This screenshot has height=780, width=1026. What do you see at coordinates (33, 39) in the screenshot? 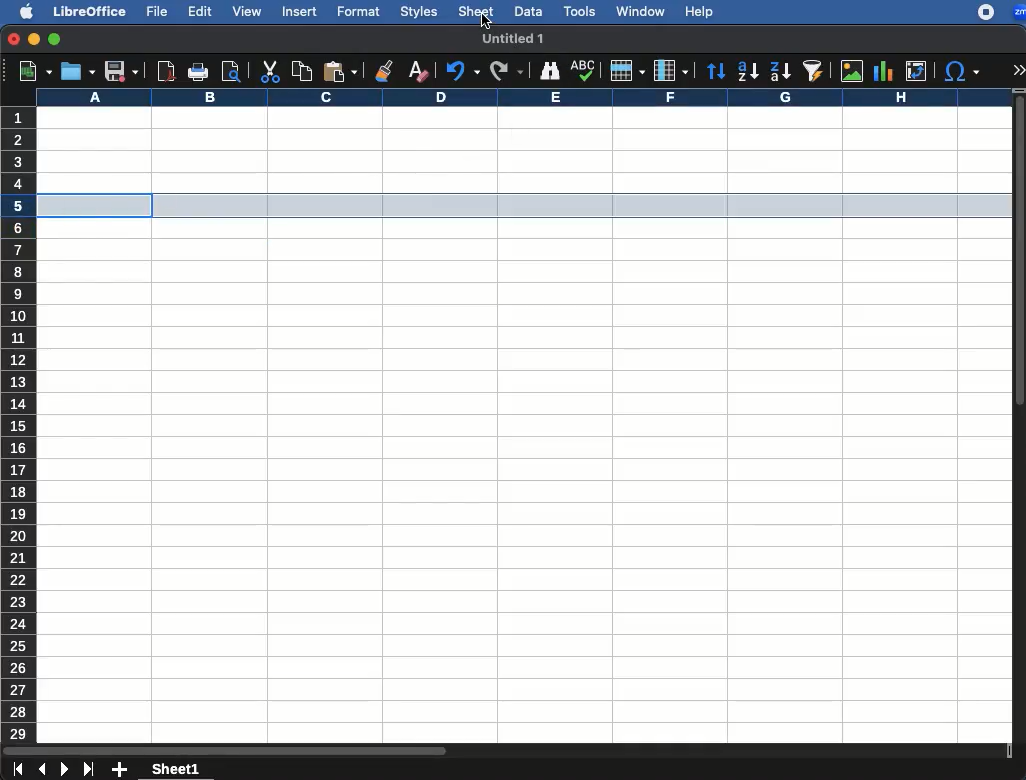
I see `minimize` at bounding box center [33, 39].